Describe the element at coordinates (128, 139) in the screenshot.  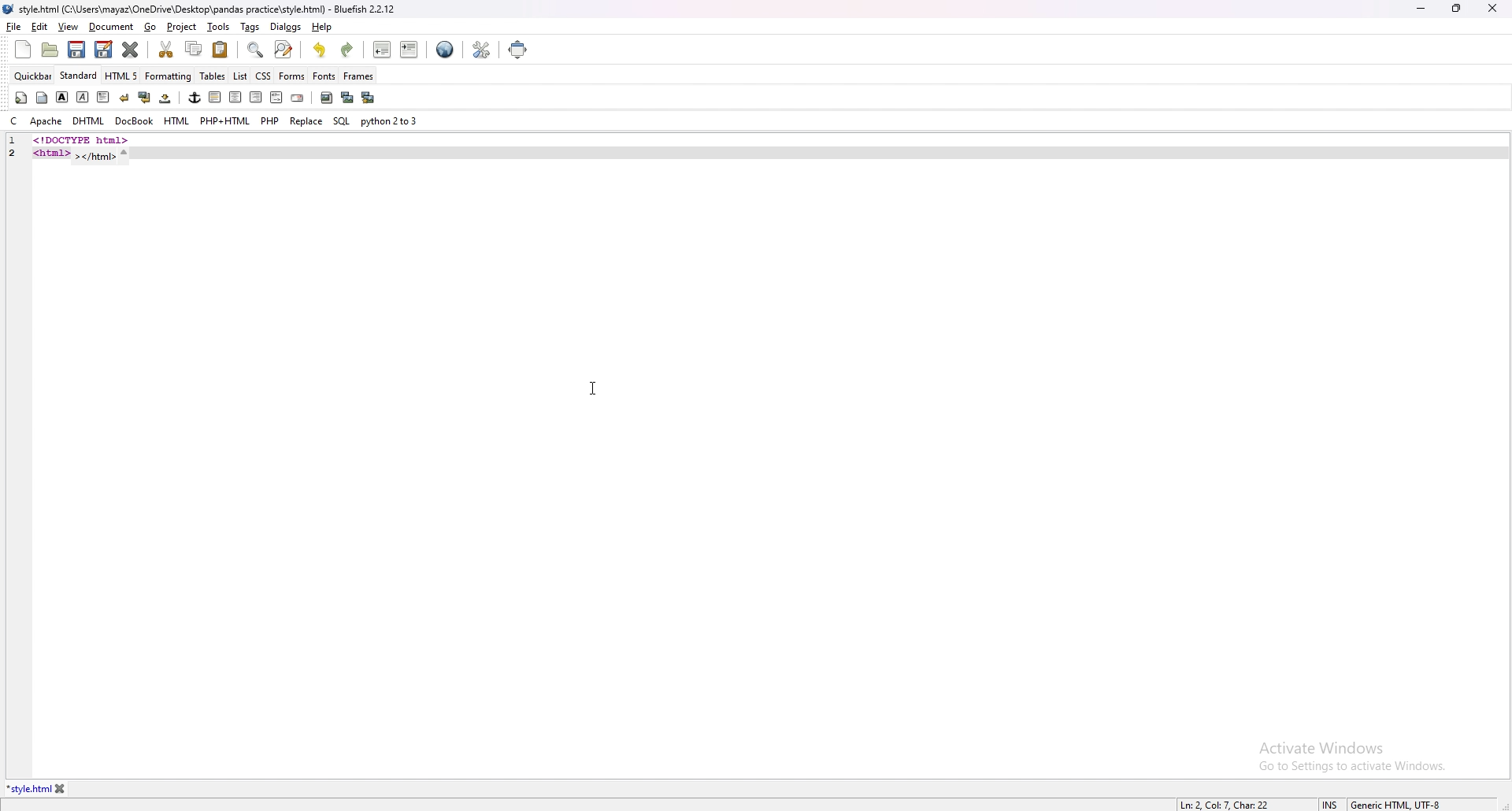
I see `code` at that location.